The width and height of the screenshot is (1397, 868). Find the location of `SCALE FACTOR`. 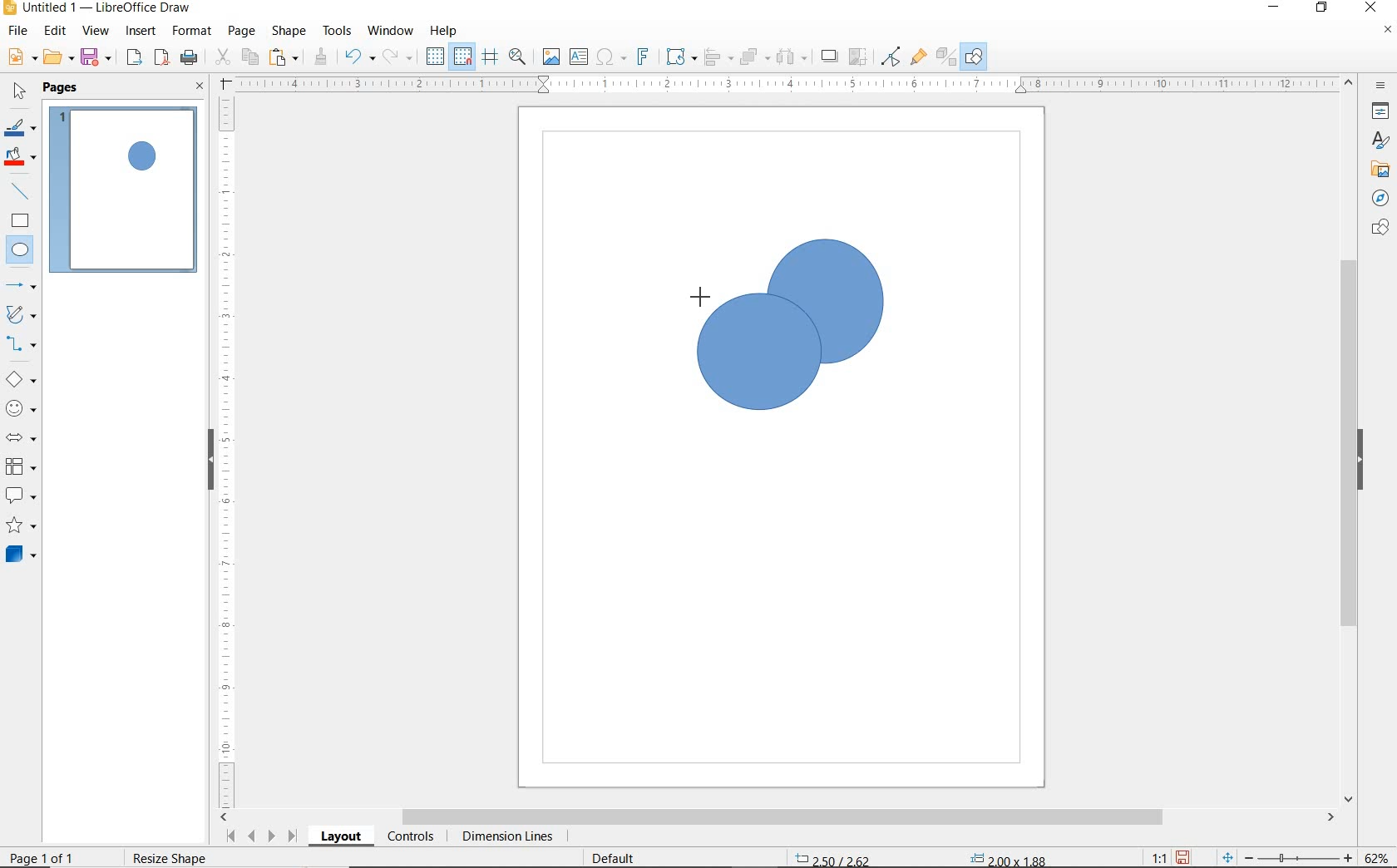

SCALE FACTOR is located at coordinates (1151, 857).